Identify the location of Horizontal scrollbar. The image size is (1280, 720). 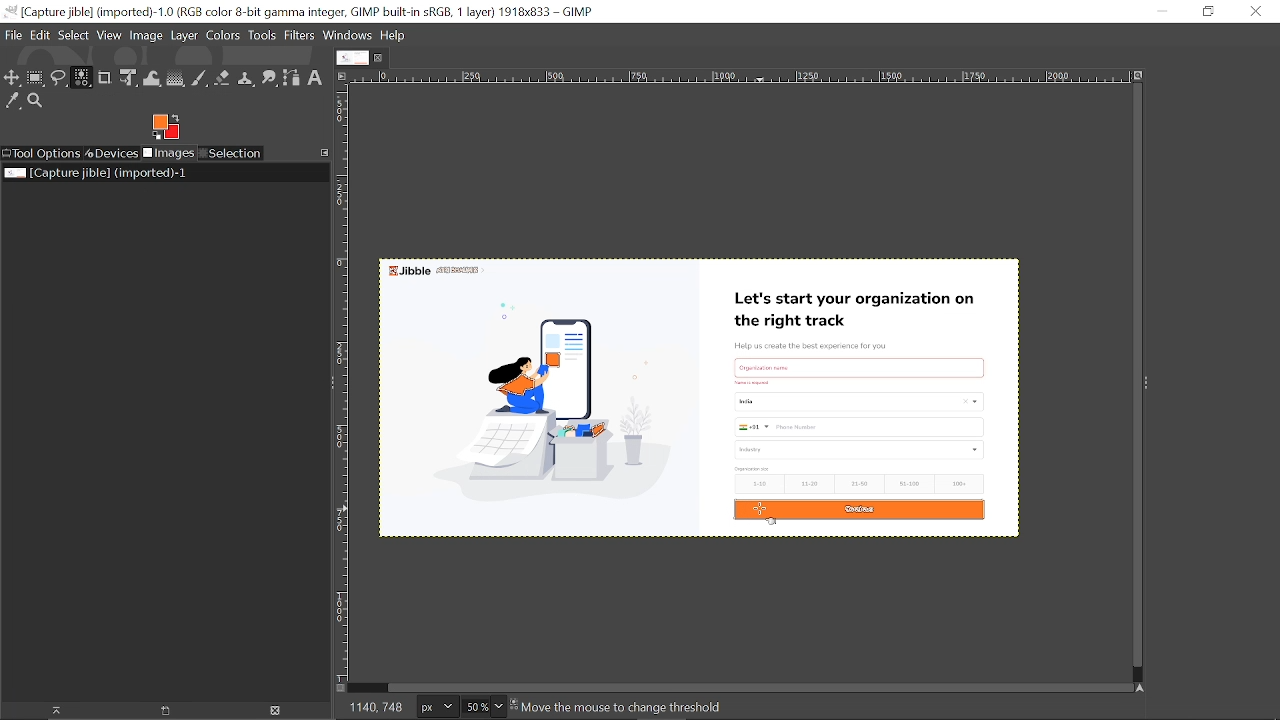
(756, 686).